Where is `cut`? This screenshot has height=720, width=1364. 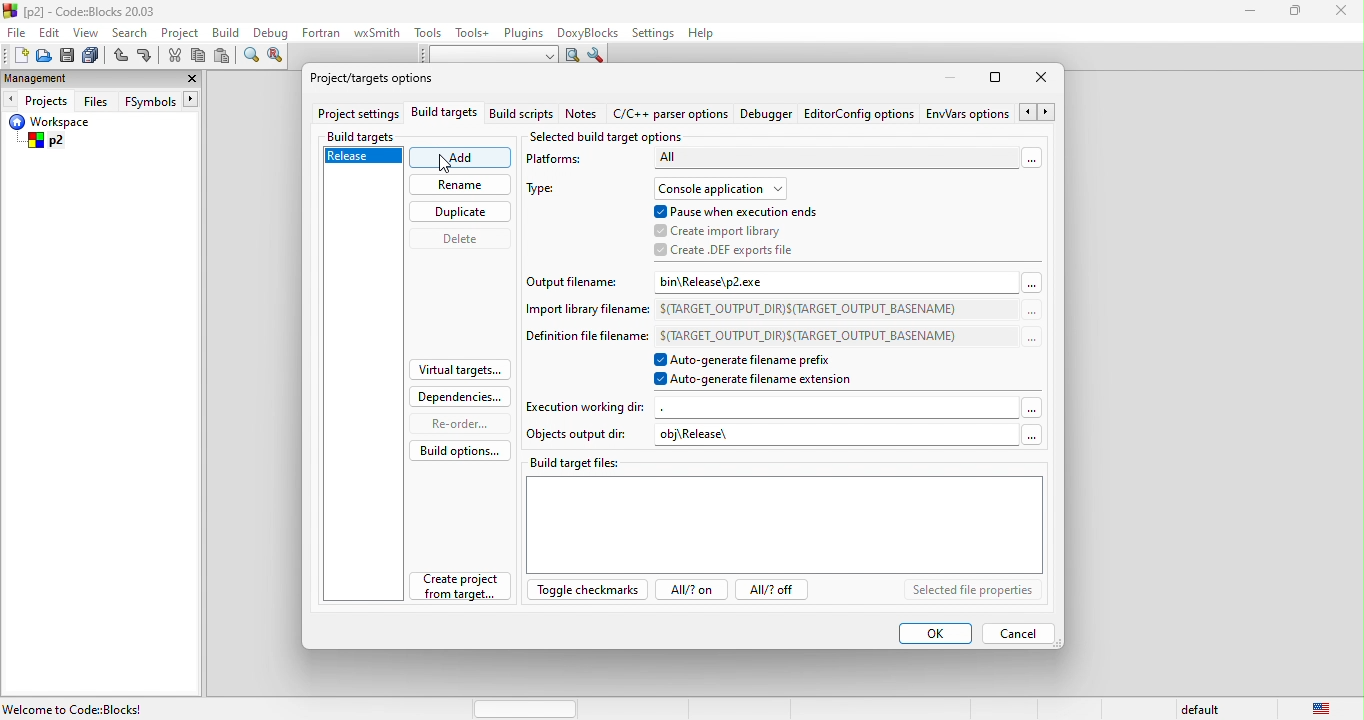 cut is located at coordinates (174, 56).